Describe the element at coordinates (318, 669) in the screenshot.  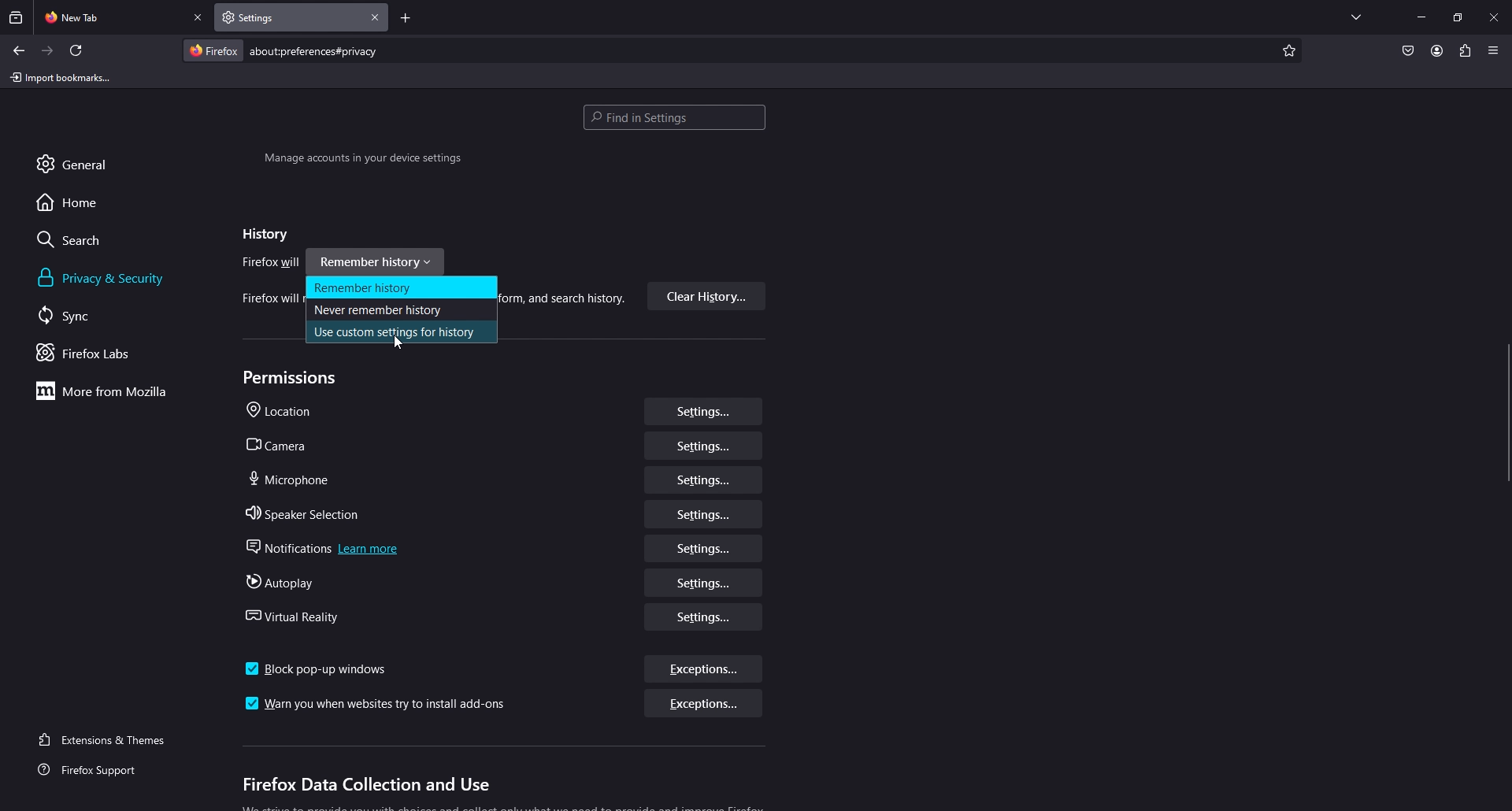
I see `block pop up window` at that location.